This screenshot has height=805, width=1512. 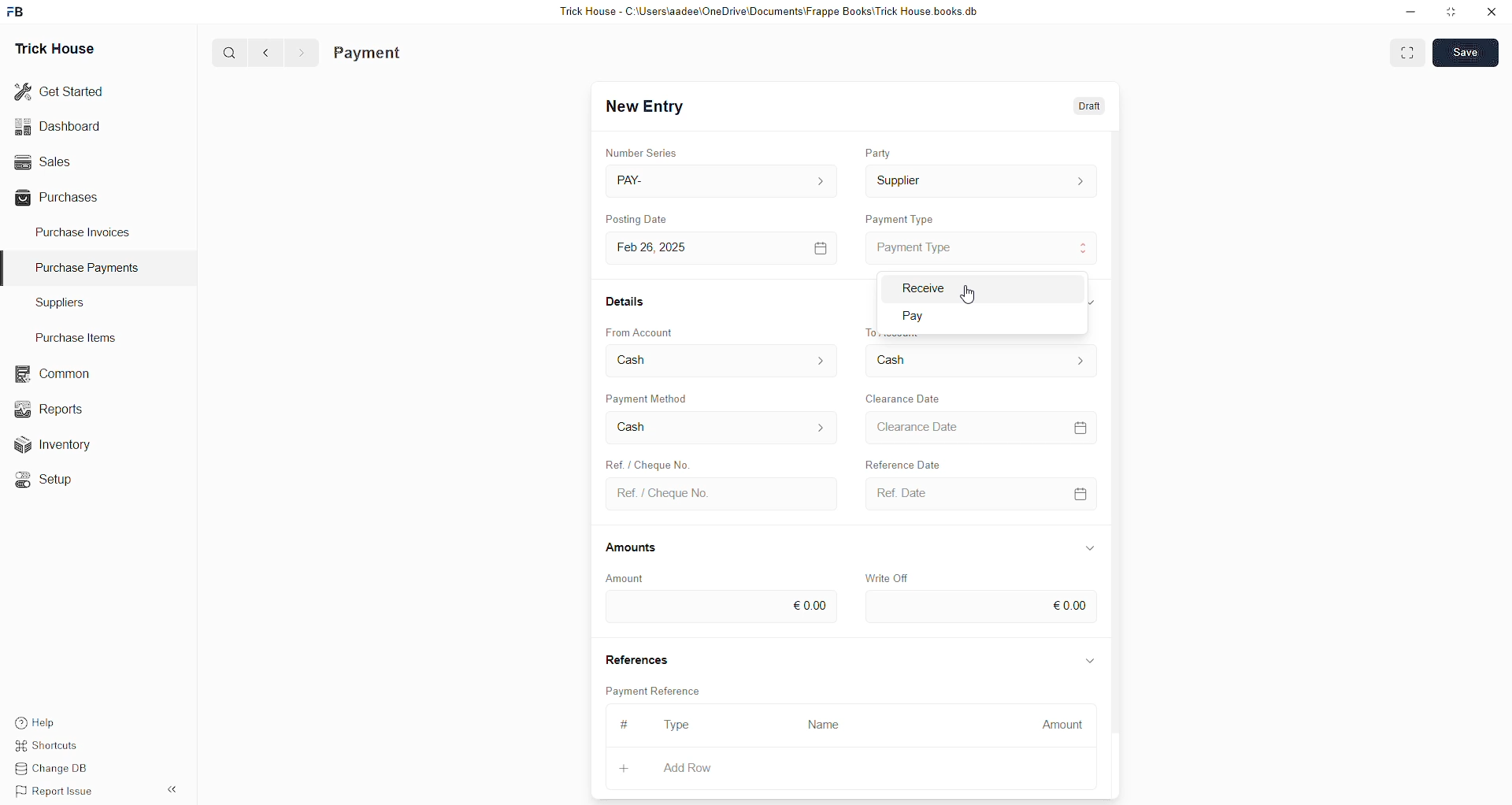 What do you see at coordinates (637, 547) in the screenshot?
I see `Amounts` at bounding box center [637, 547].